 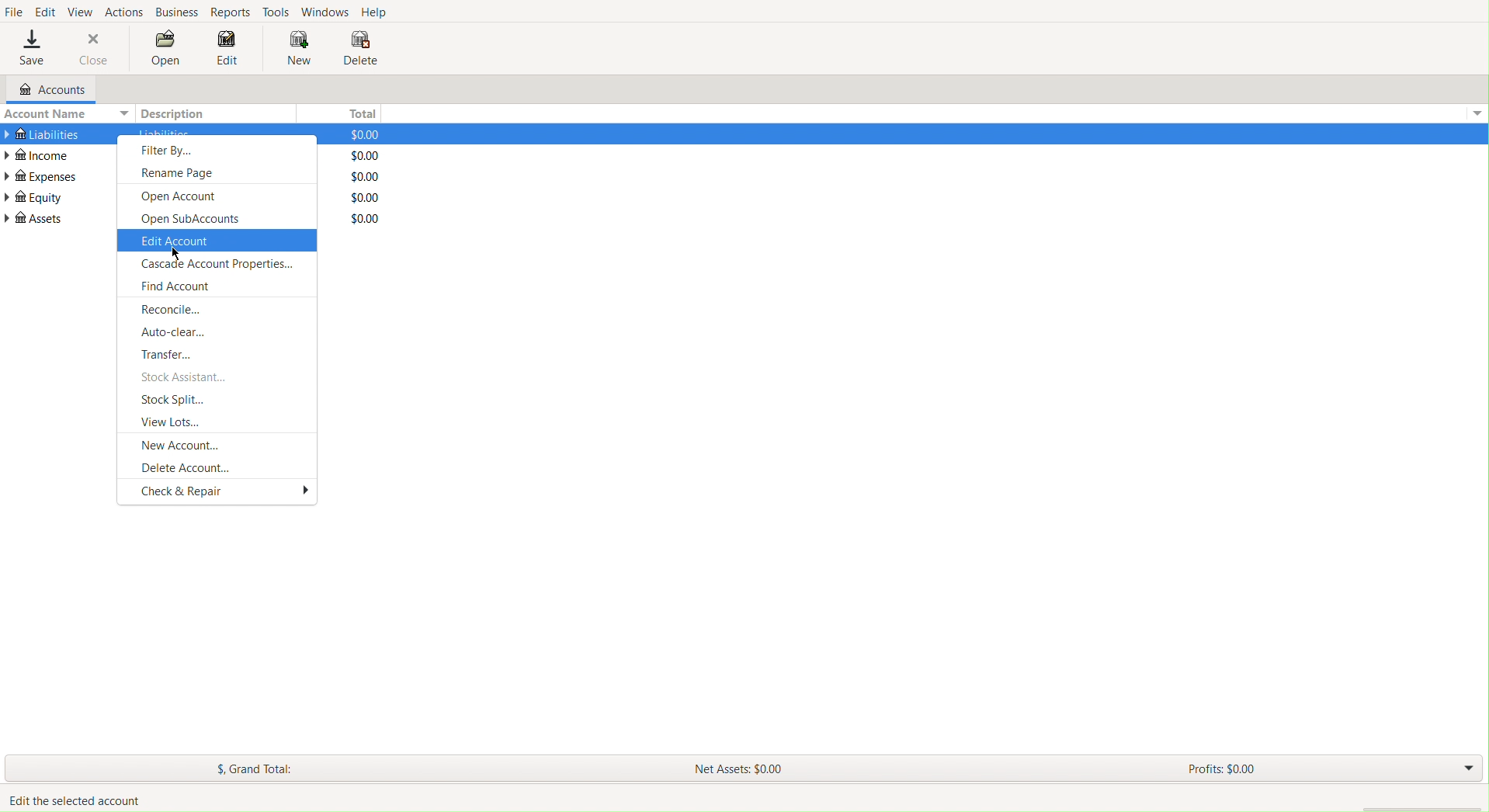 I want to click on Net Assets, so click(x=741, y=767).